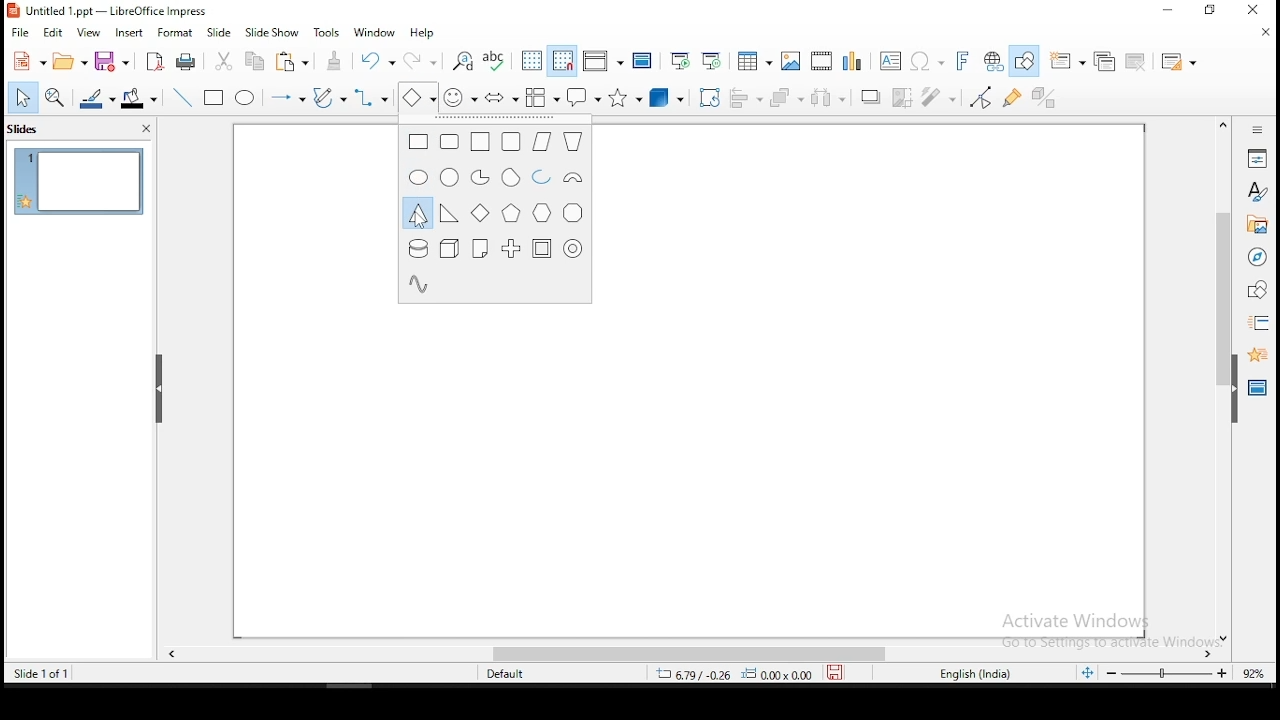  Describe the element at coordinates (415, 98) in the screenshot. I see `basic shapes` at that location.